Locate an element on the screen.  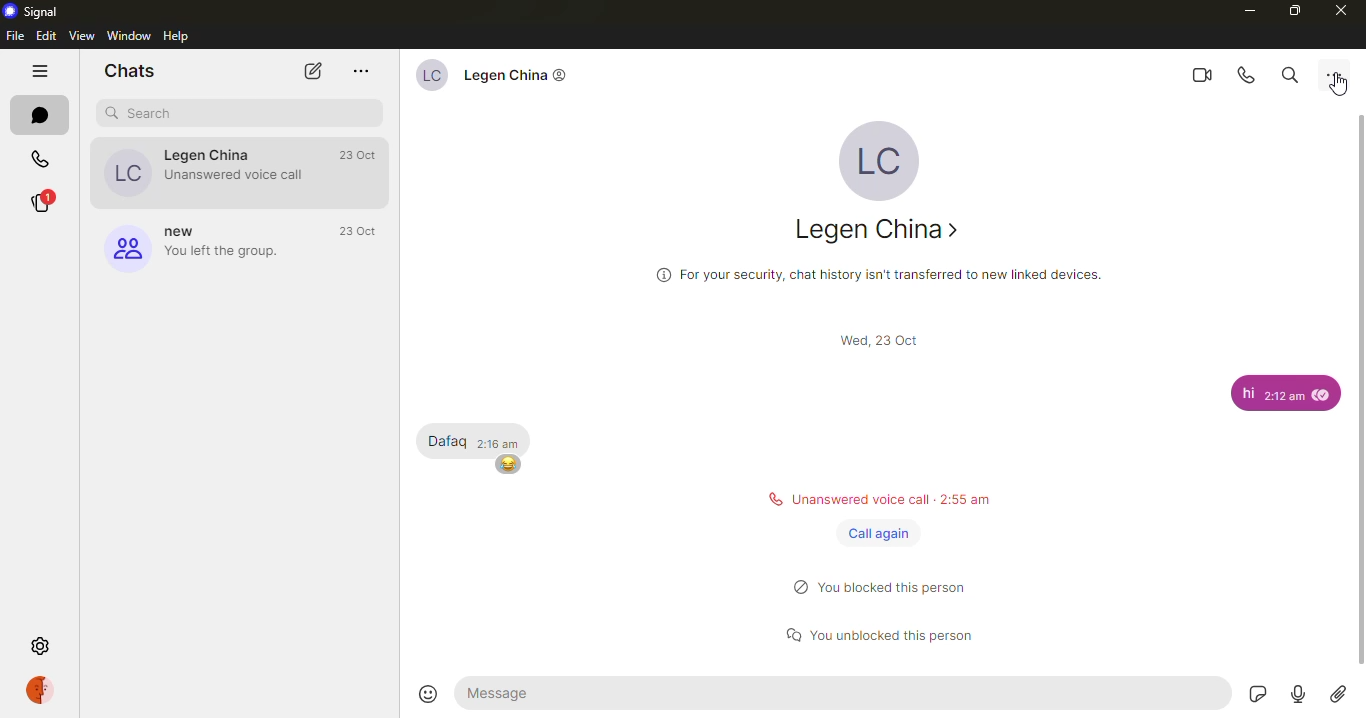
attach is located at coordinates (1339, 697).